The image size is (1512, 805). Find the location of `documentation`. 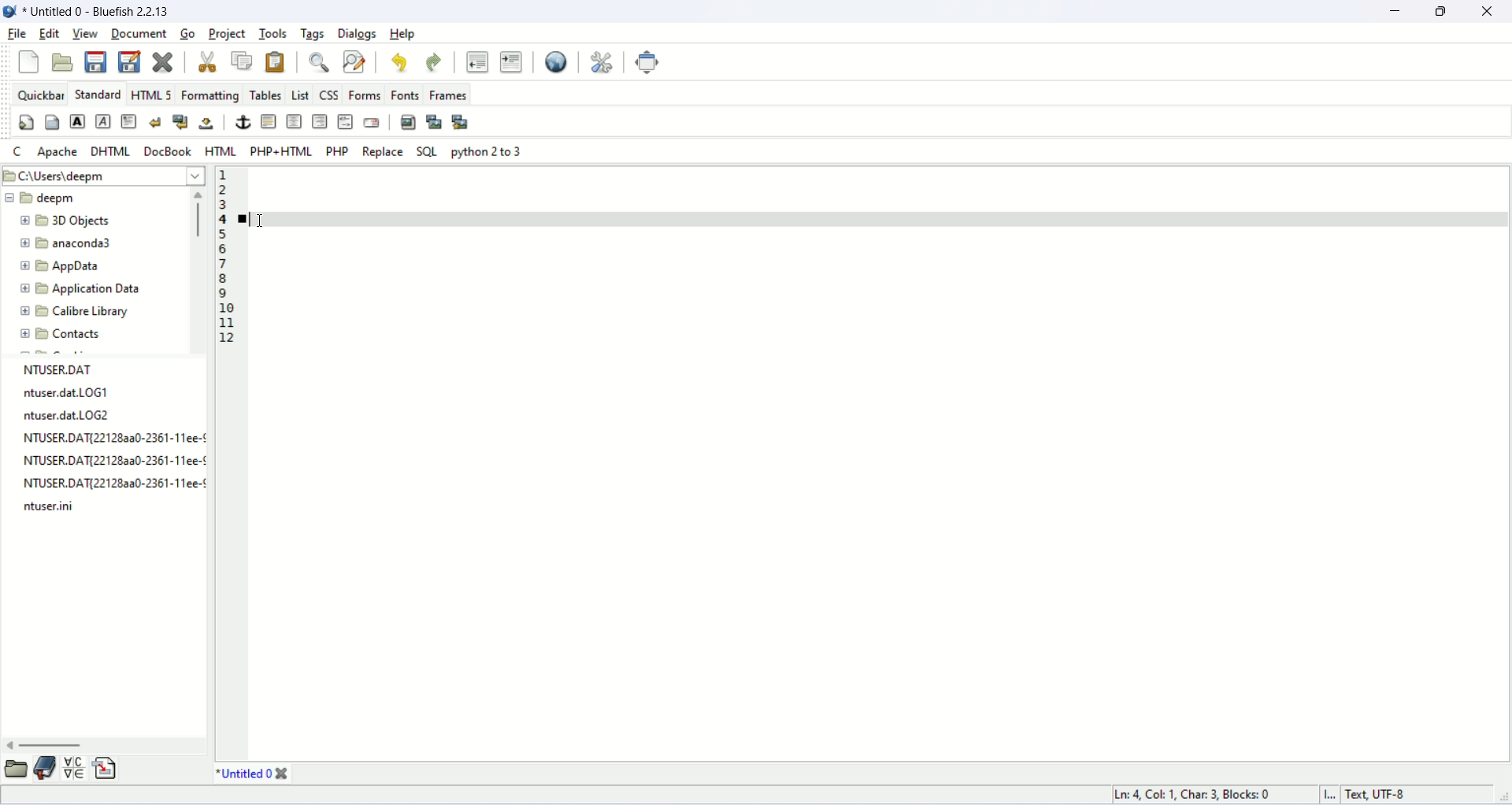

documentation is located at coordinates (43, 767).